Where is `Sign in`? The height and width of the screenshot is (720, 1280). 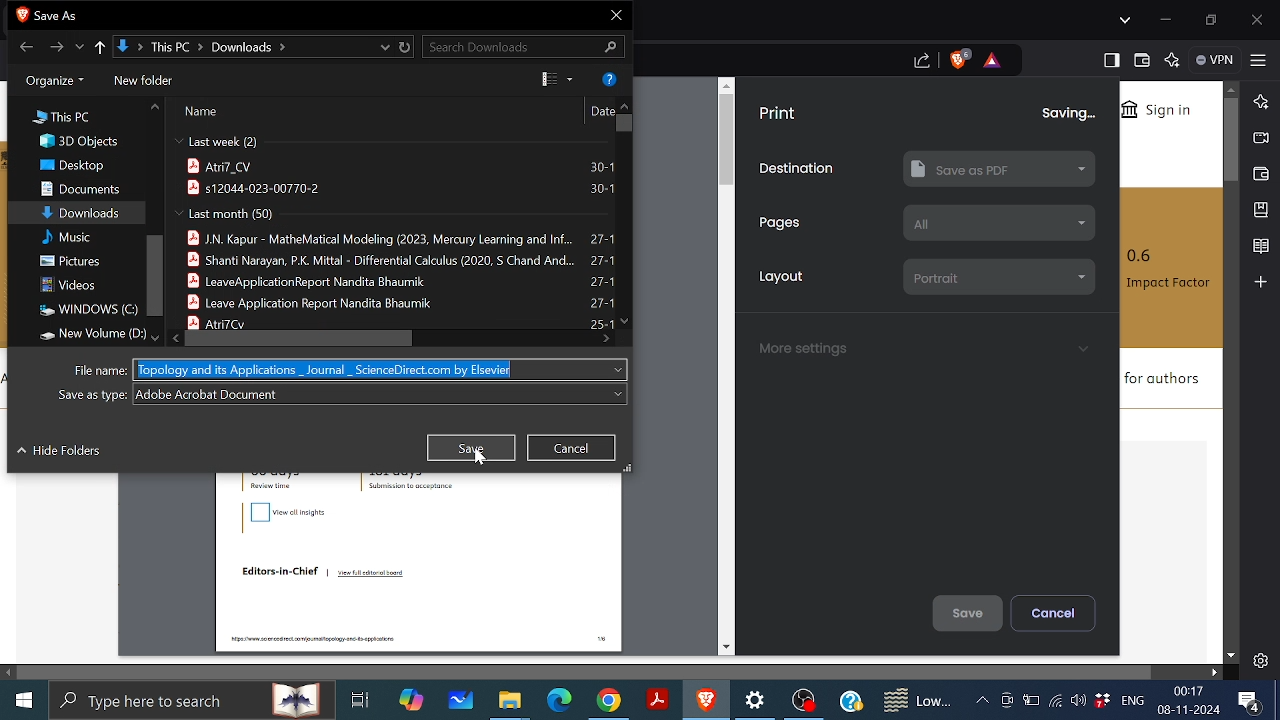 Sign in is located at coordinates (1159, 111).